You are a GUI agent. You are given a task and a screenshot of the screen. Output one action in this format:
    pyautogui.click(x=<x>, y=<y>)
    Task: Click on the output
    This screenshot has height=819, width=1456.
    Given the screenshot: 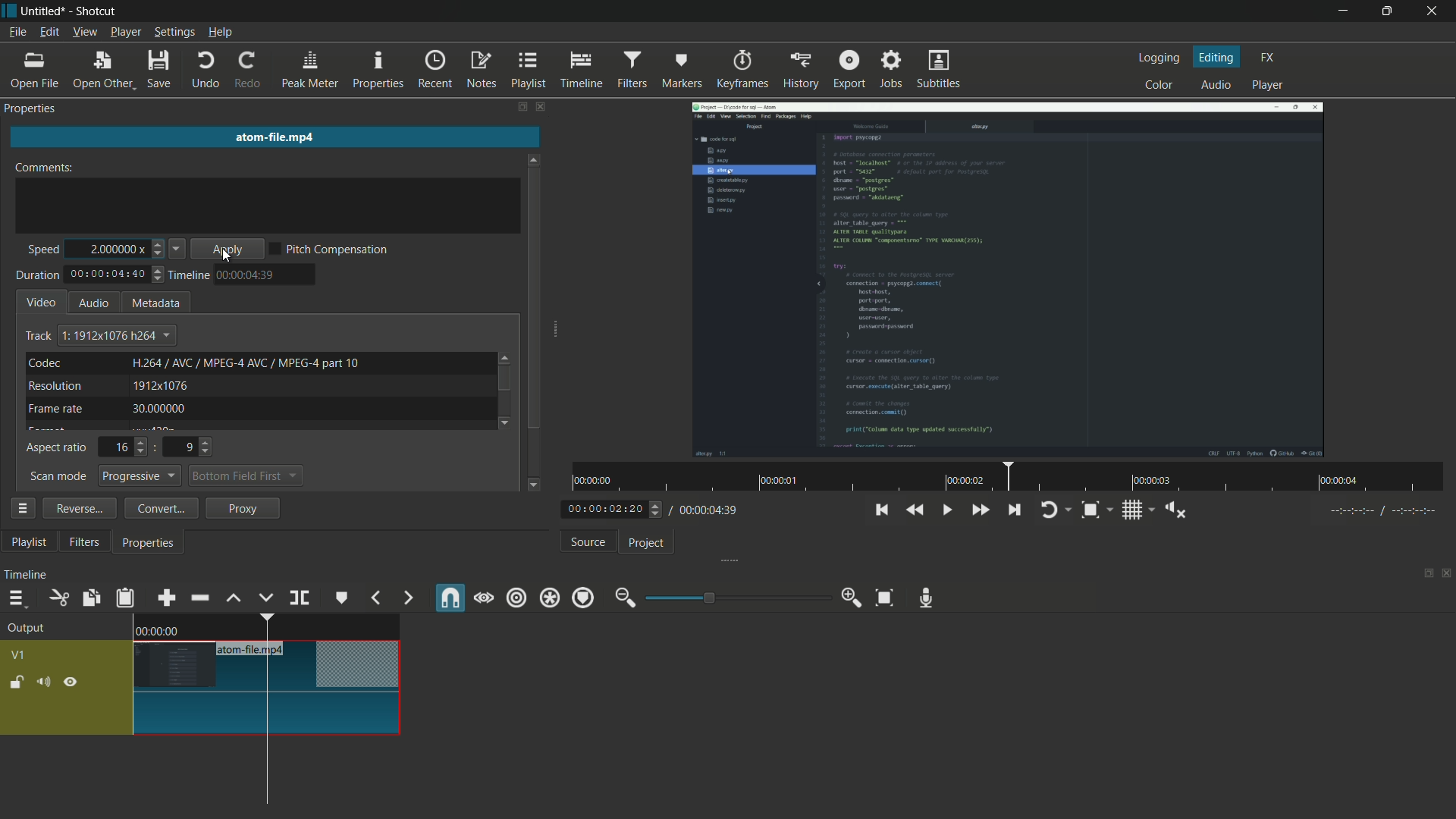 What is the action you would take?
    pyautogui.click(x=30, y=629)
    